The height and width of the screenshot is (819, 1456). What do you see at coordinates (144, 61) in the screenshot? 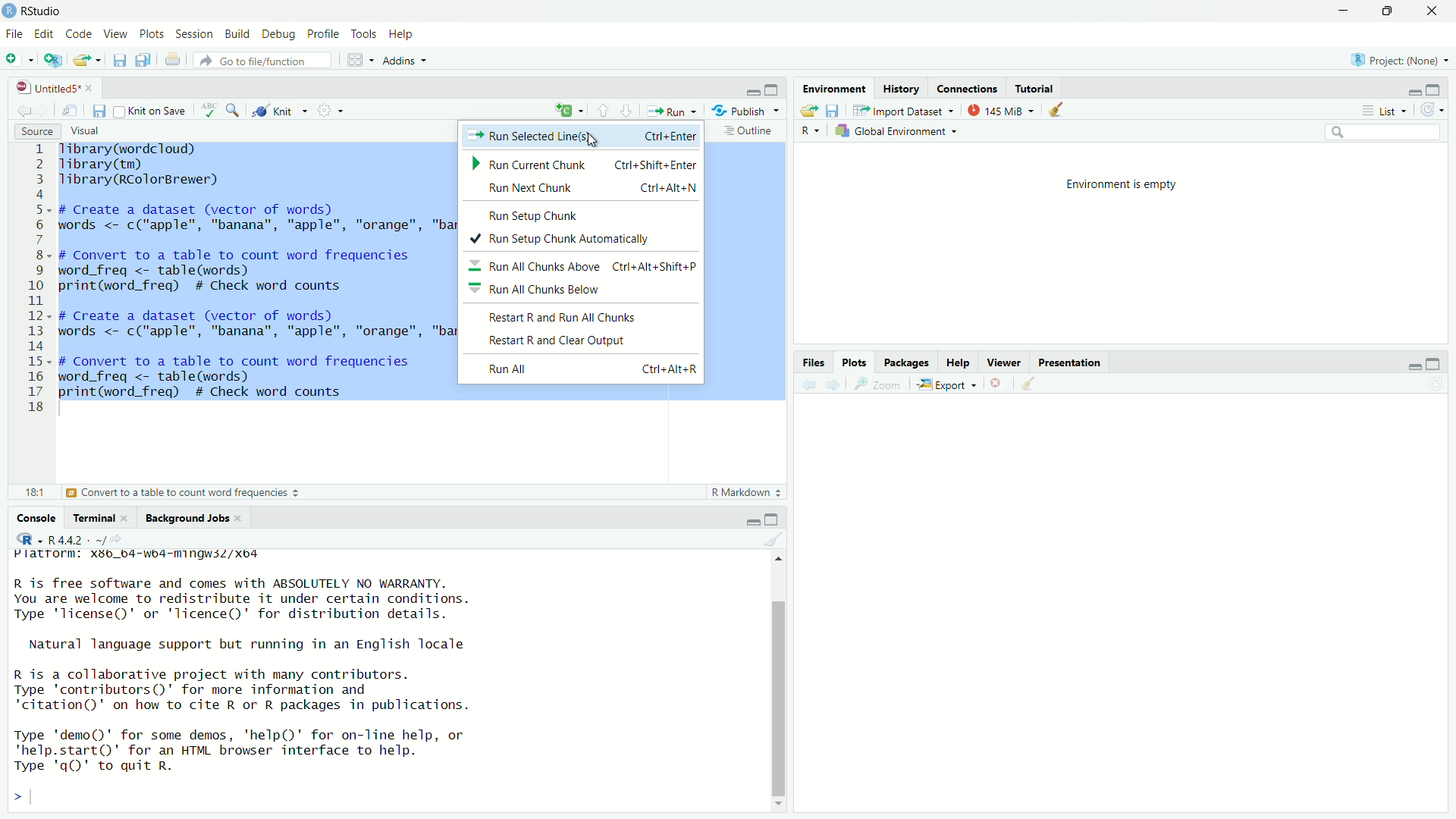
I see `Save all open documents` at bounding box center [144, 61].